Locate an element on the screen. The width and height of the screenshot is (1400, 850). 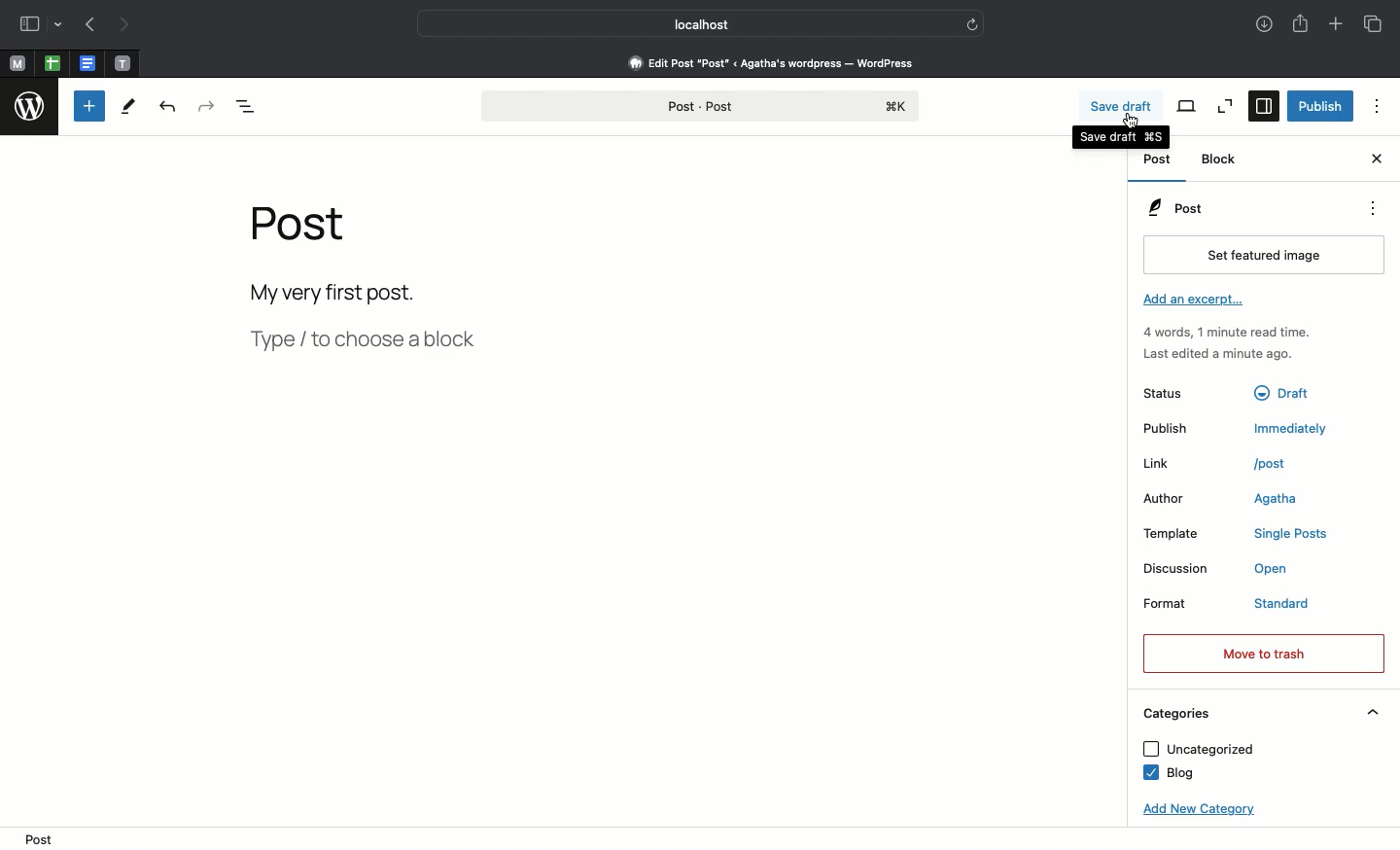
spread sheet is located at coordinates (52, 63).